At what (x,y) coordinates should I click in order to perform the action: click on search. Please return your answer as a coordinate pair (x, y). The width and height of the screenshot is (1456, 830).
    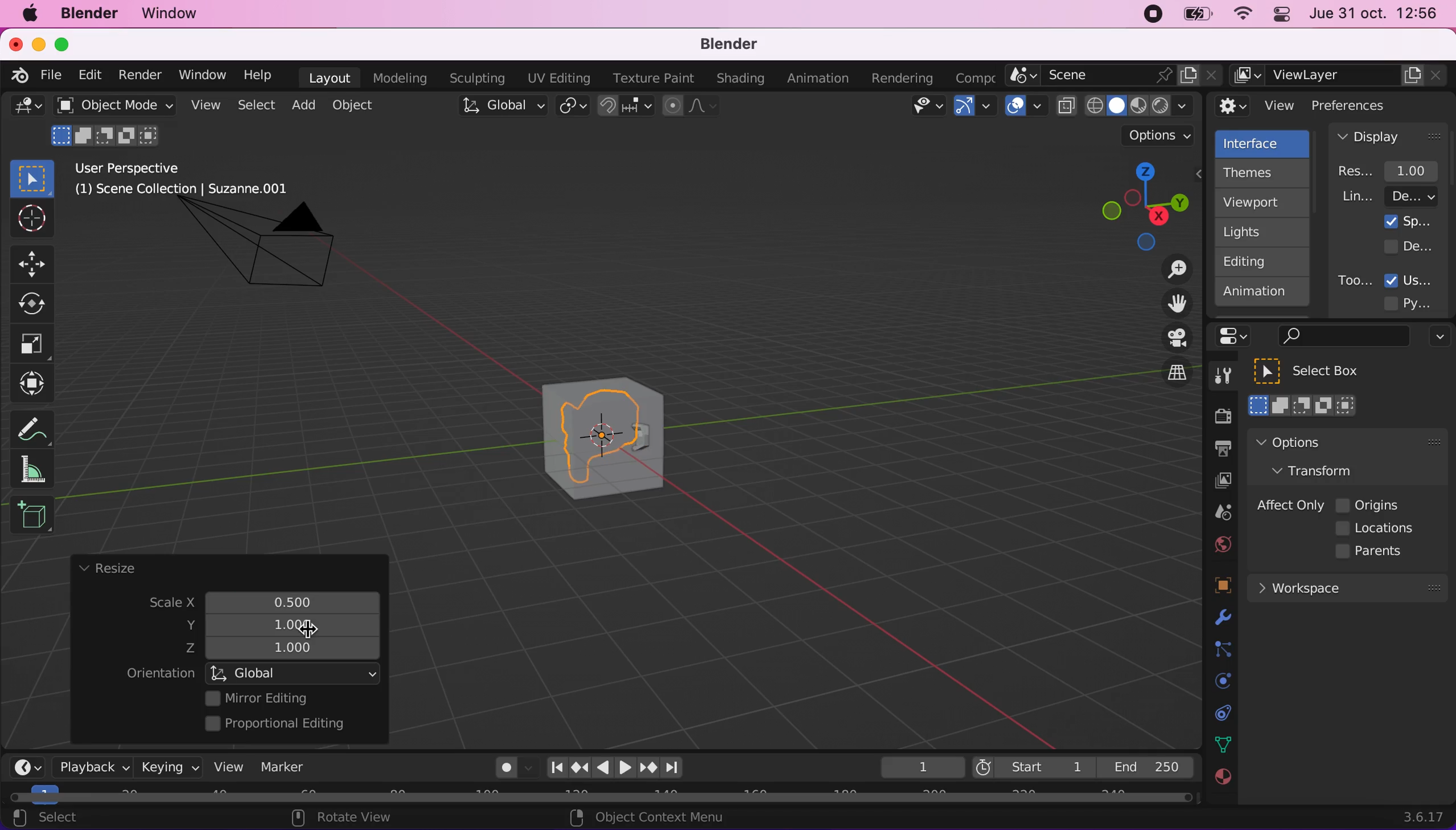
    Looking at the image, I should click on (1341, 337).